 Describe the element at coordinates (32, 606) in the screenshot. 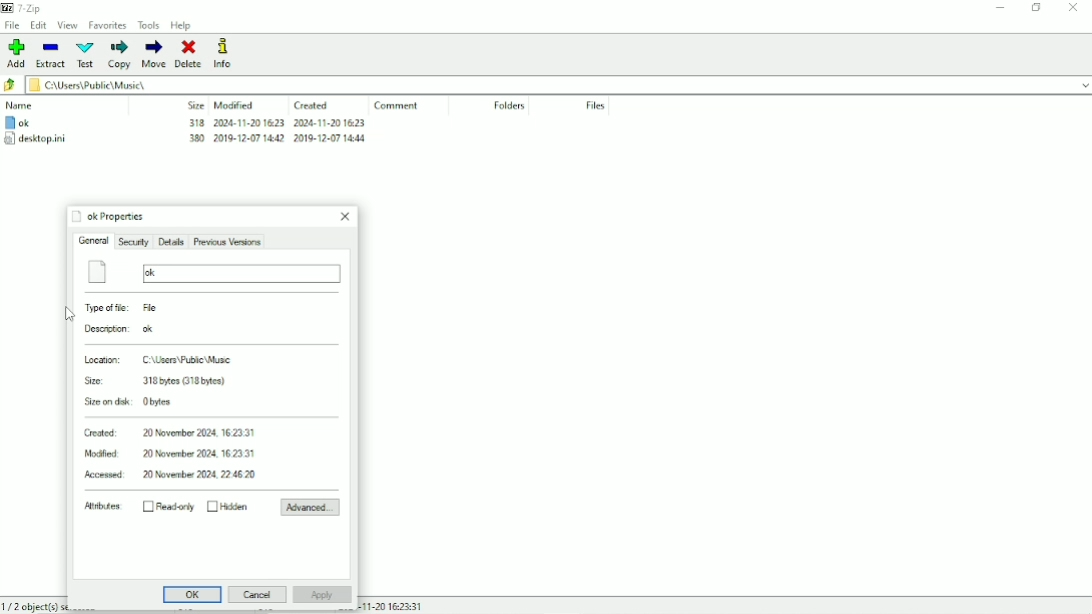

I see `1/2 object(s) selected` at that location.